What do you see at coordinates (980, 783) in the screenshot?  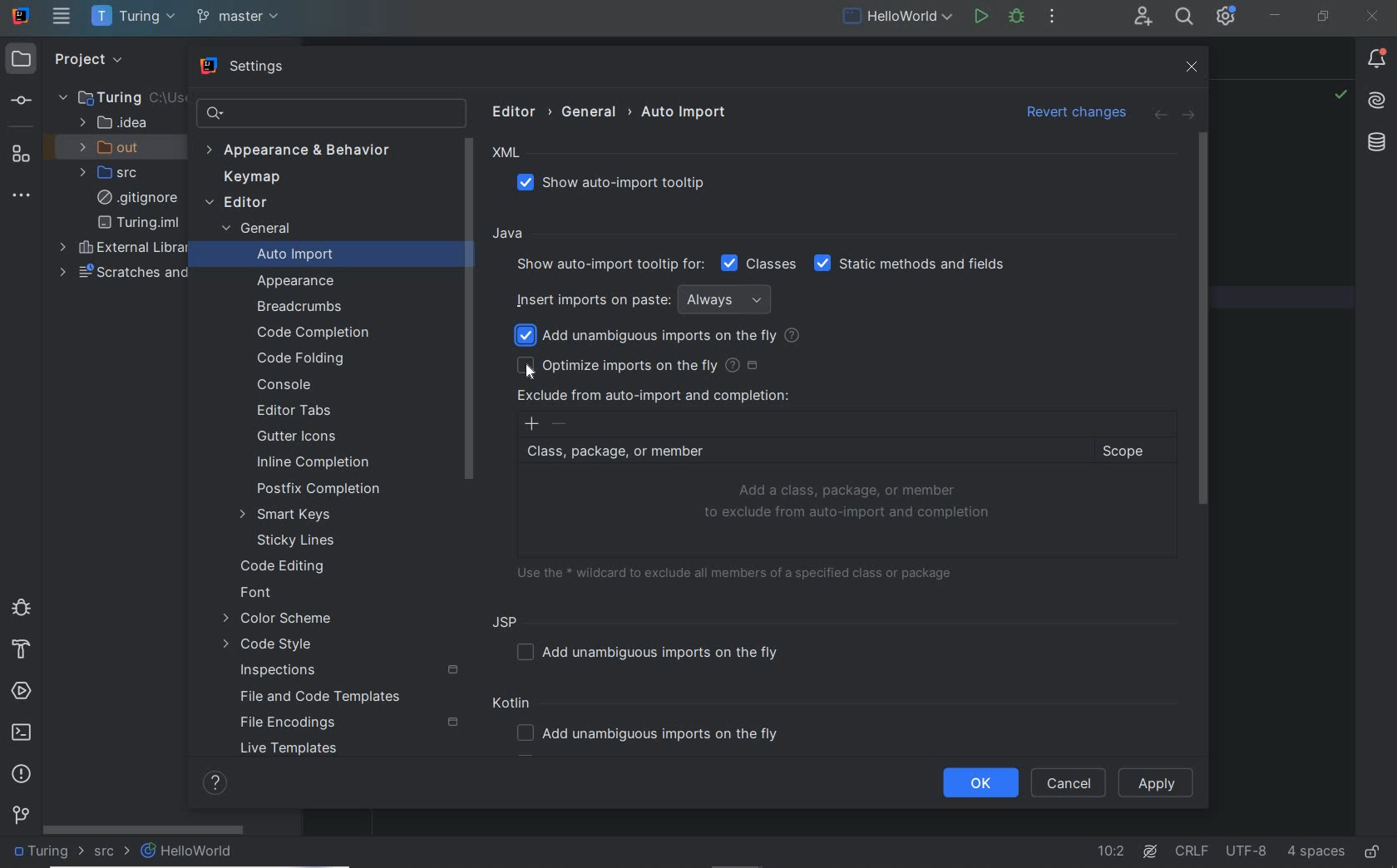 I see `OK` at bounding box center [980, 783].